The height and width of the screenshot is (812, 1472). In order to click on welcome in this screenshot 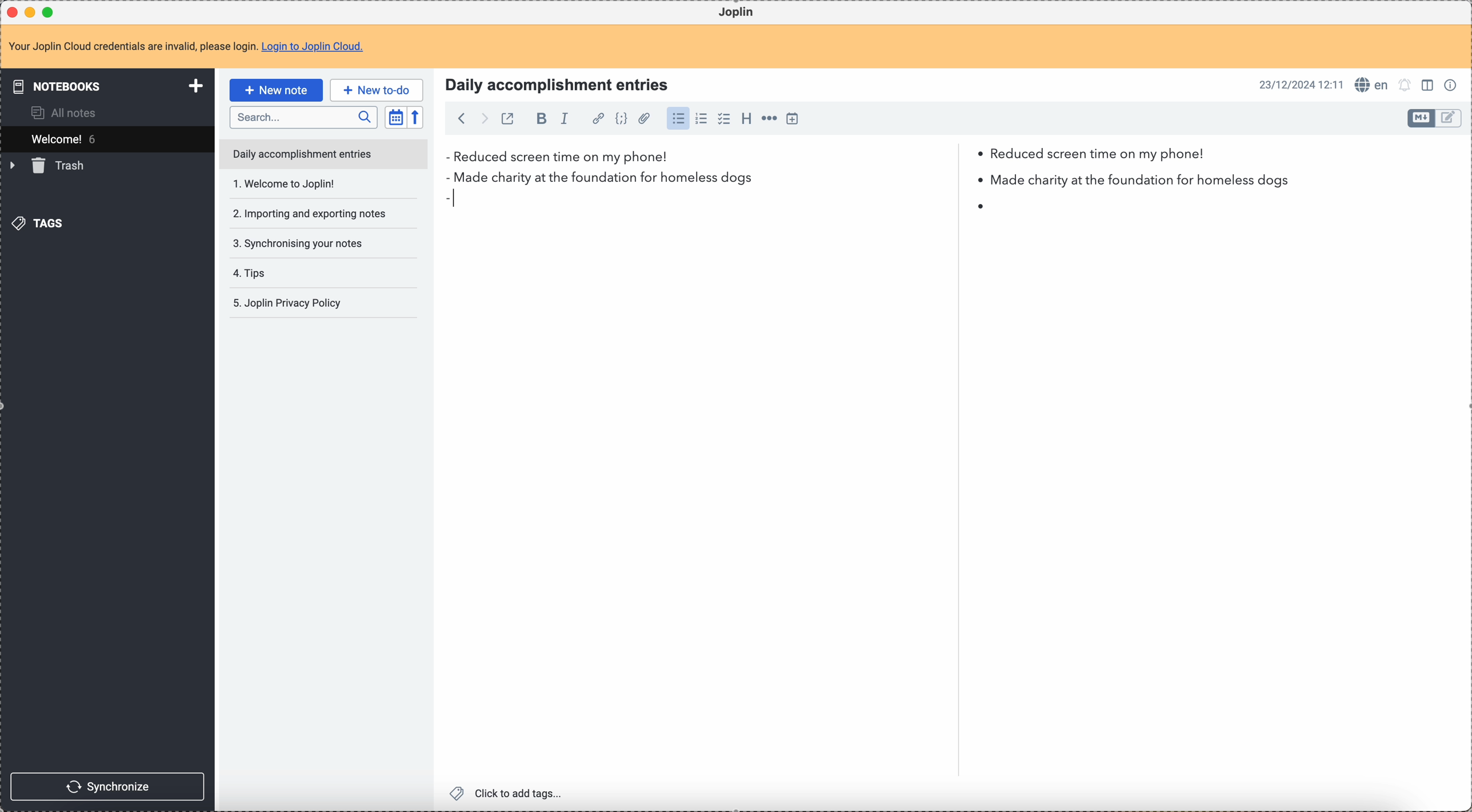, I will do `click(106, 139)`.